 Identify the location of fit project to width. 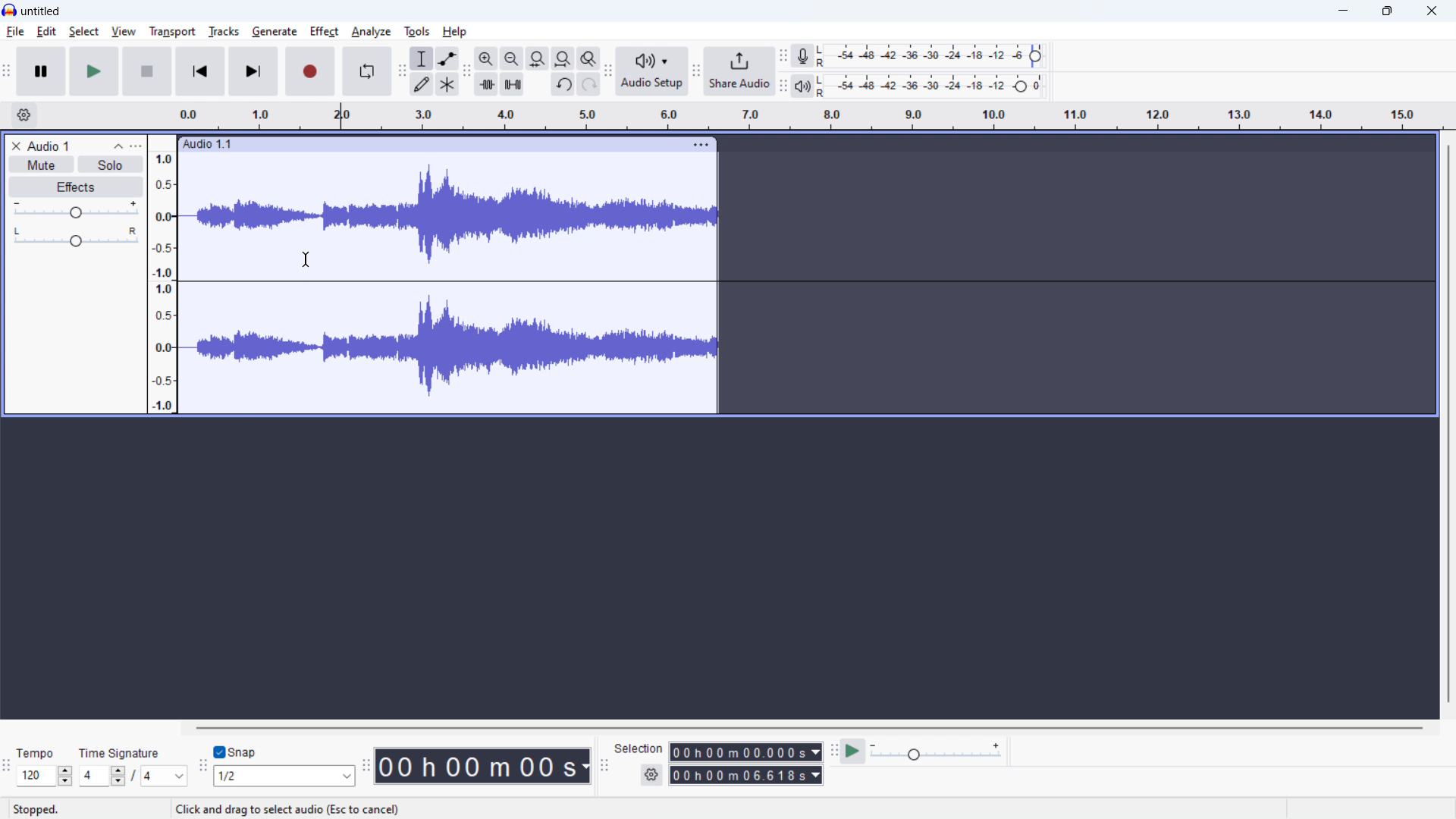
(563, 58).